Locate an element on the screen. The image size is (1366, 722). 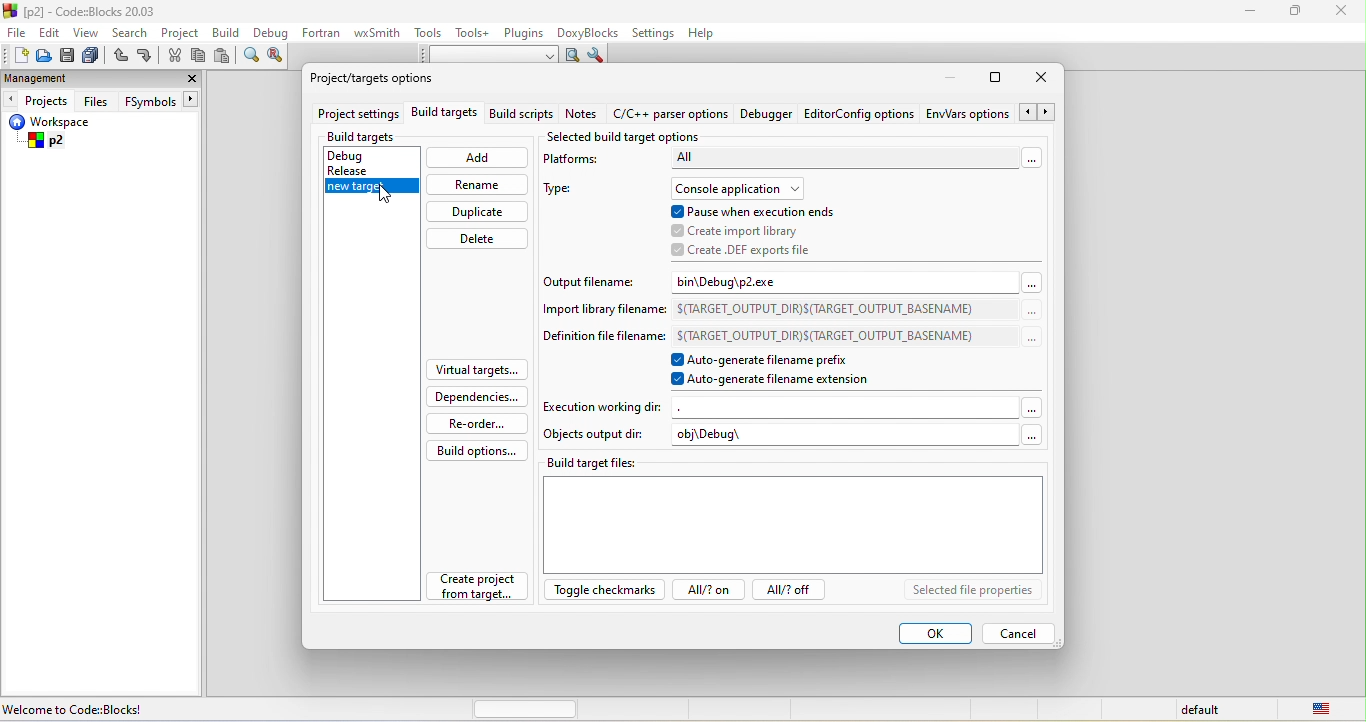
projects is located at coordinates (39, 101).